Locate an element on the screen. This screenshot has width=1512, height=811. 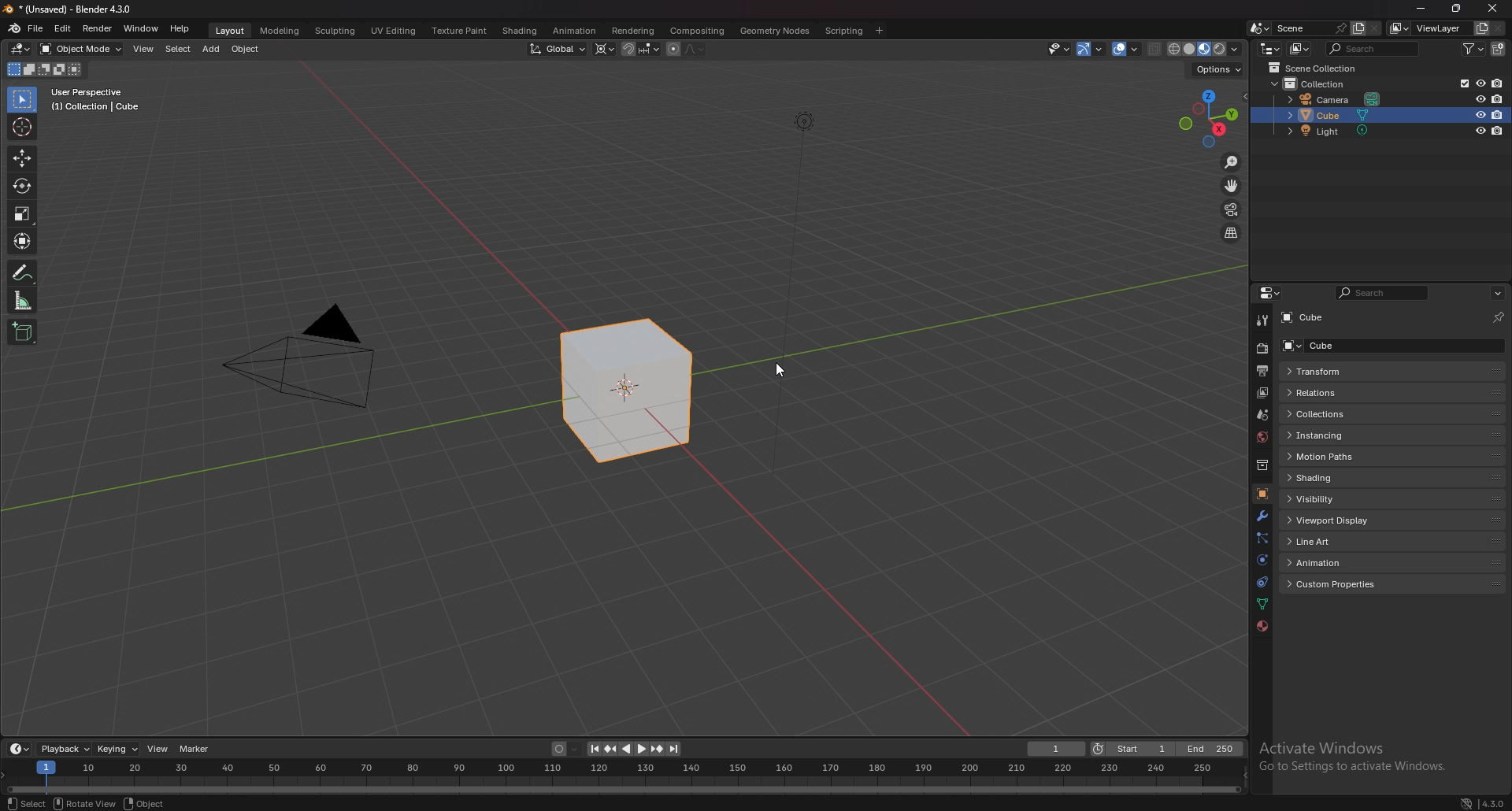
toggle xrays is located at coordinates (1155, 50).